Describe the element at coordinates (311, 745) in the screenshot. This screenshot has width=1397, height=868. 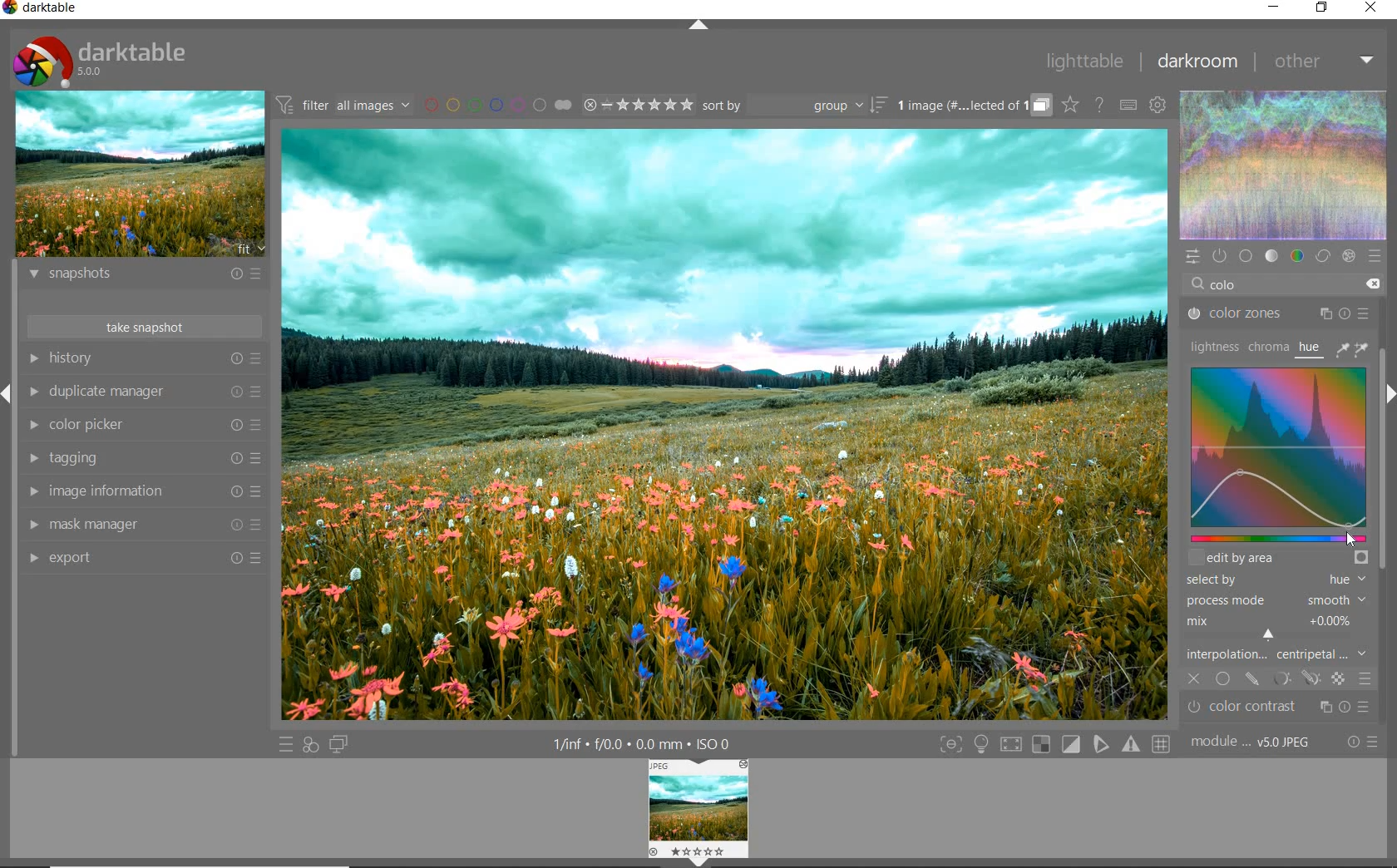
I see `quick access for applying any of your styles` at that location.